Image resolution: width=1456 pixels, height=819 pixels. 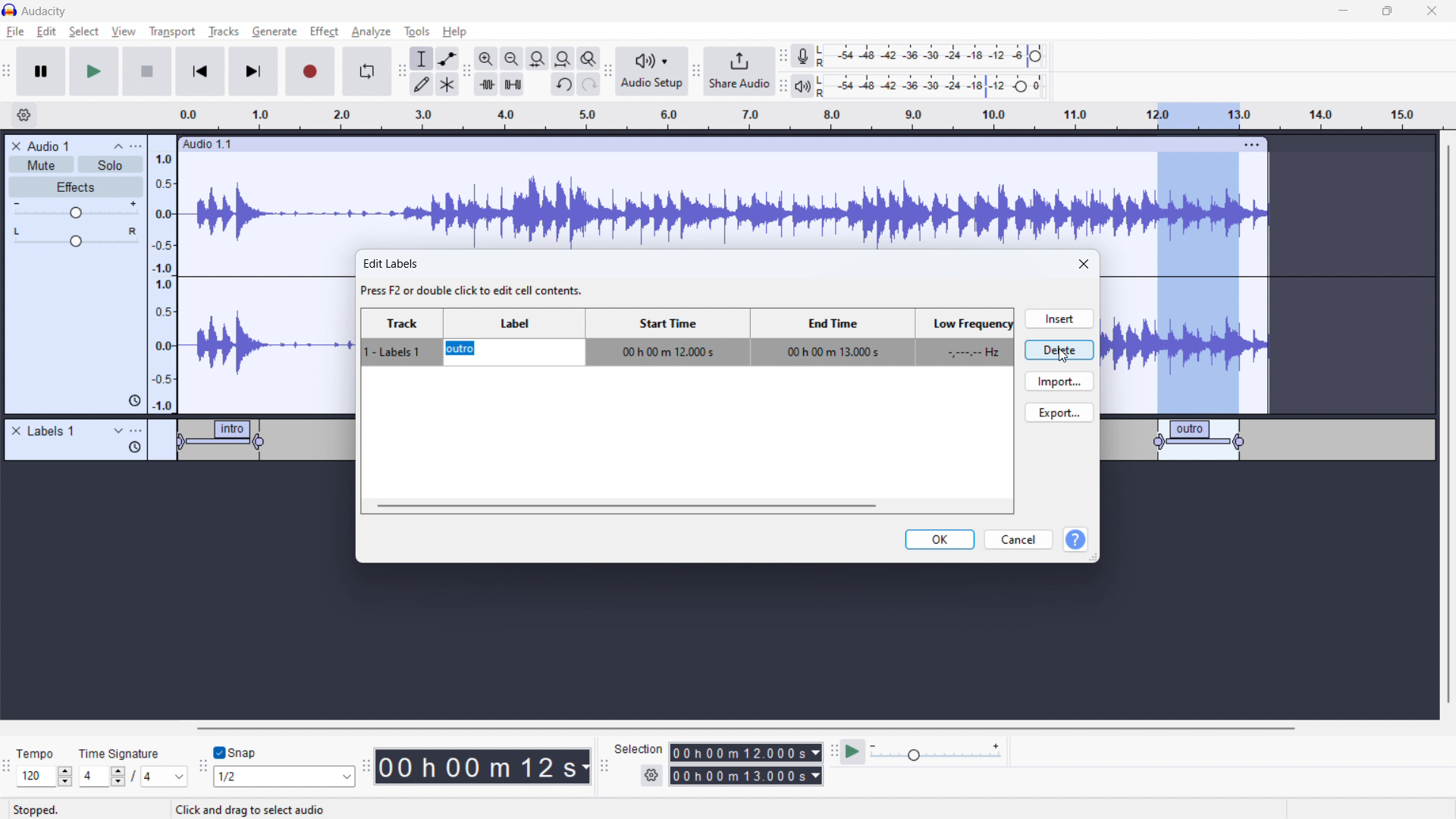 What do you see at coordinates (24, 116) in the screenshot?
I see `timeline settings` at bounding box center [24, 116].